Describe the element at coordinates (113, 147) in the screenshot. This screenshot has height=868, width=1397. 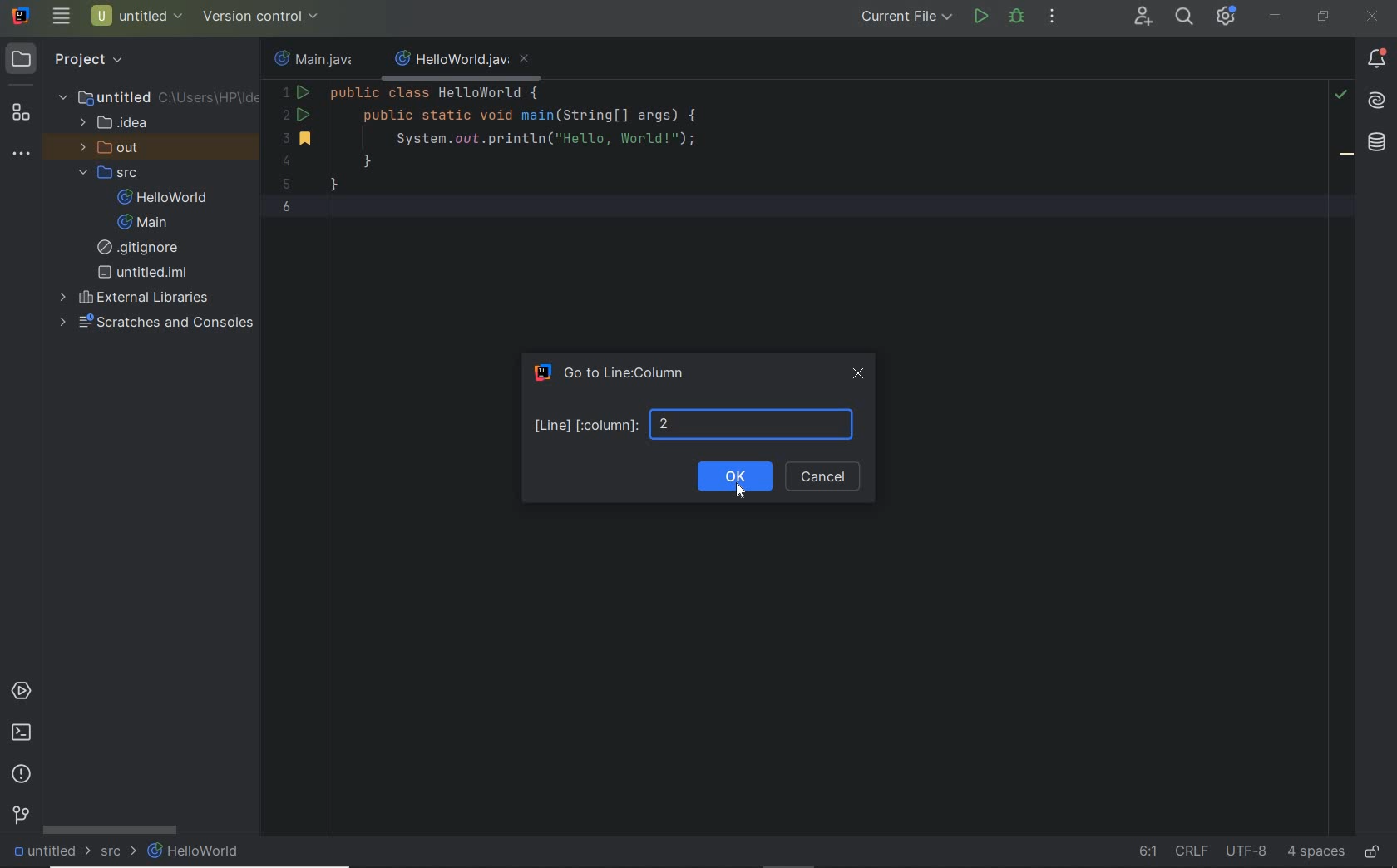
I see `out` at that location.